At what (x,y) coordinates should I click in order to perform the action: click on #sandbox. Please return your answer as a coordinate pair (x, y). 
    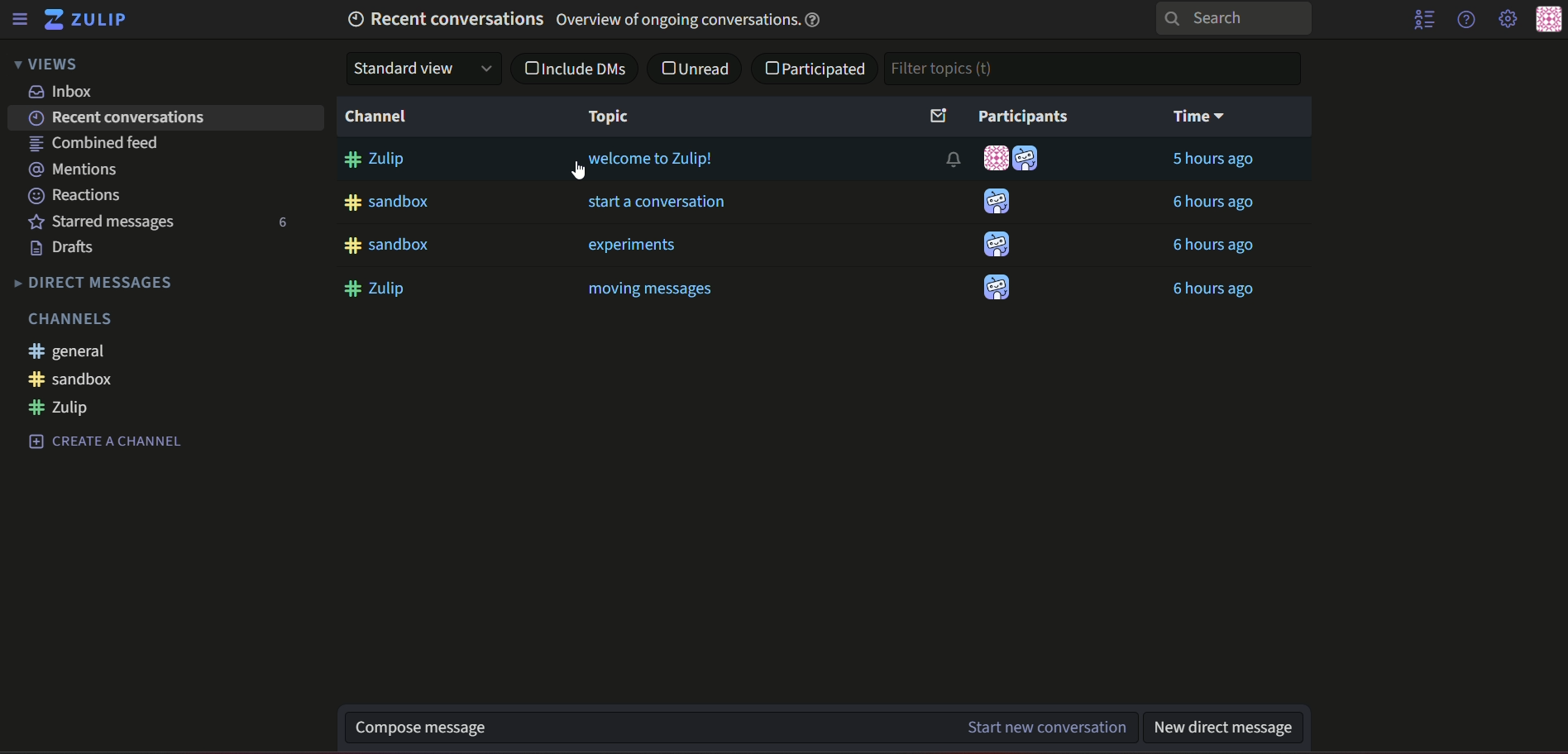
    Looking at the image, I should click on (387, 202).